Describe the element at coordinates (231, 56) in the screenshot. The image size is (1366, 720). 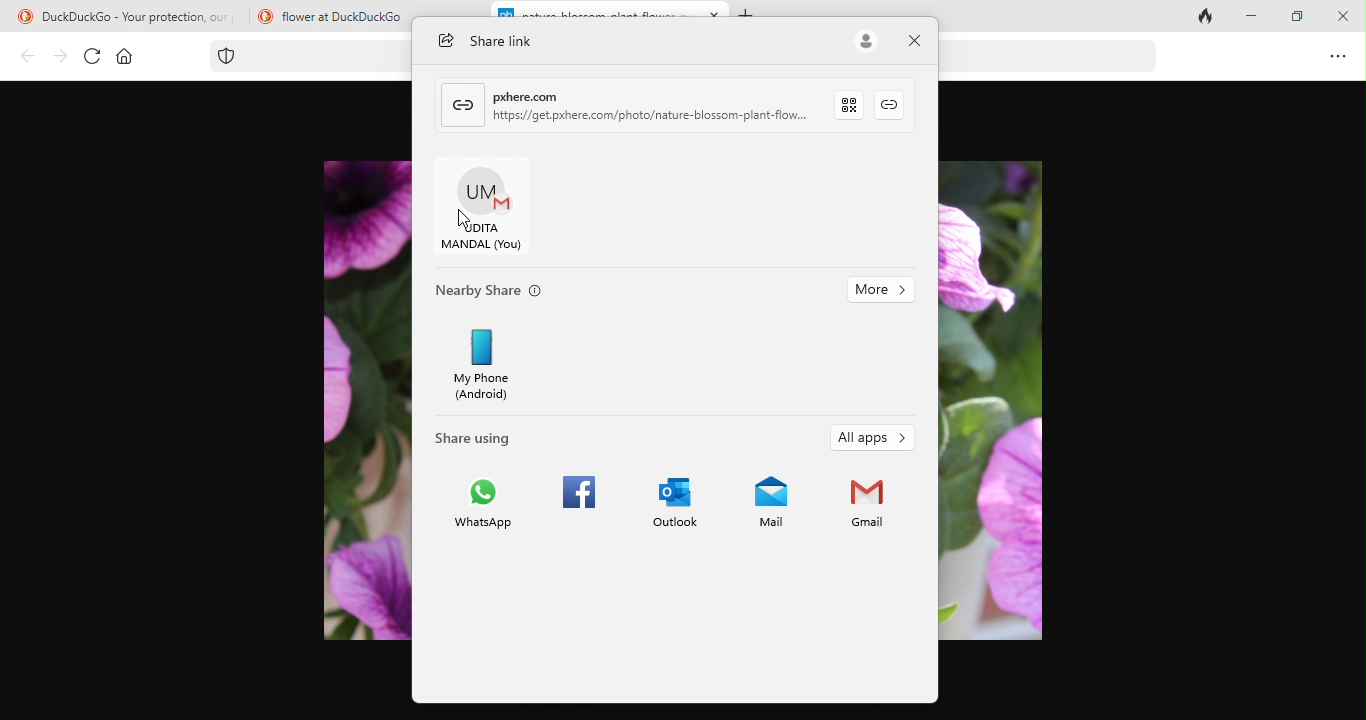
I see `tracking` at that location.